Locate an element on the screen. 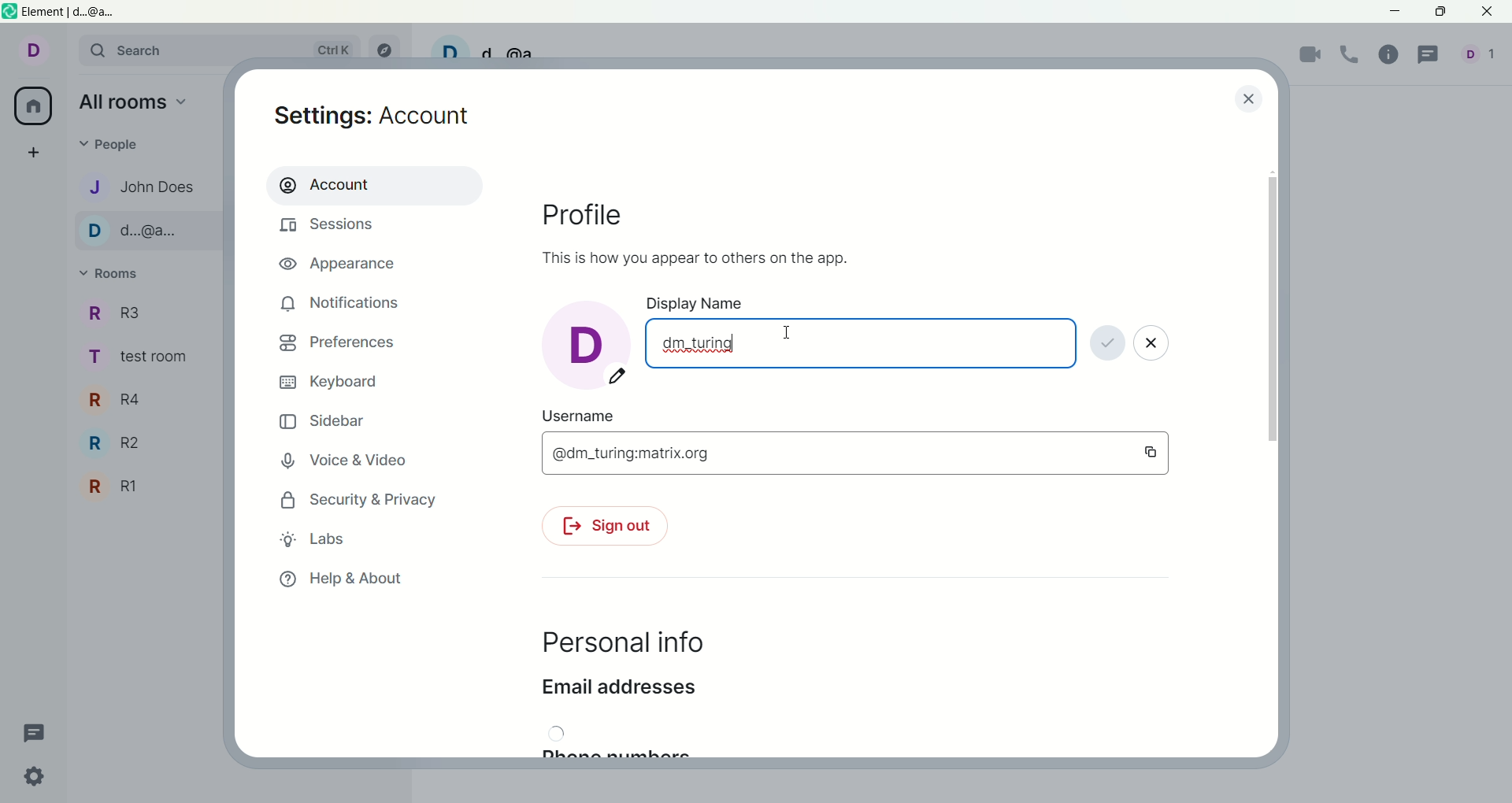 The image size is (1512, 803). close is located at coordinates (1489, 13).